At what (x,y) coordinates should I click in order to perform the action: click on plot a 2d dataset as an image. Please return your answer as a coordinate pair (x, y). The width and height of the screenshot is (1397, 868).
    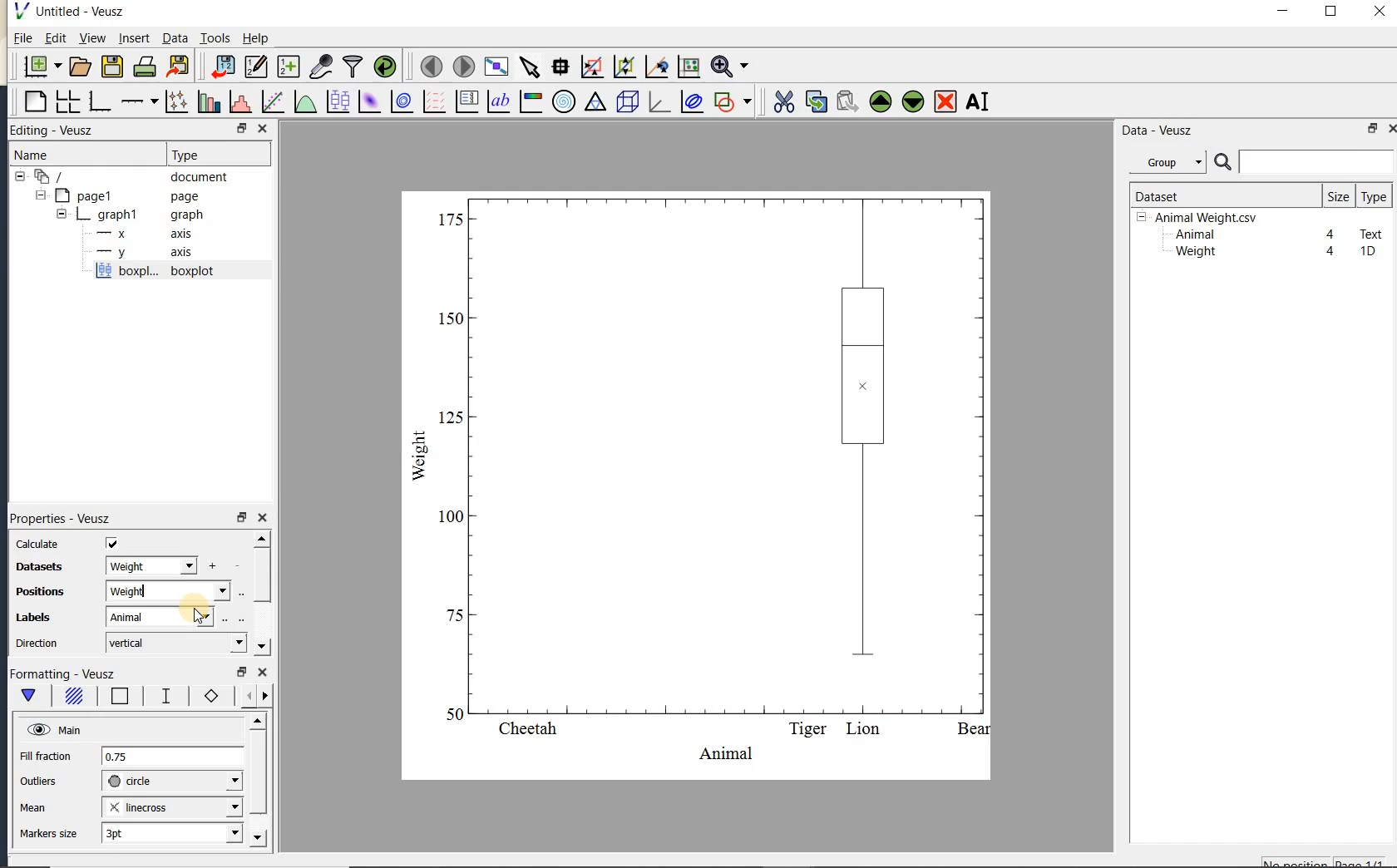
    Looking at the image, I should click on (368, 101).